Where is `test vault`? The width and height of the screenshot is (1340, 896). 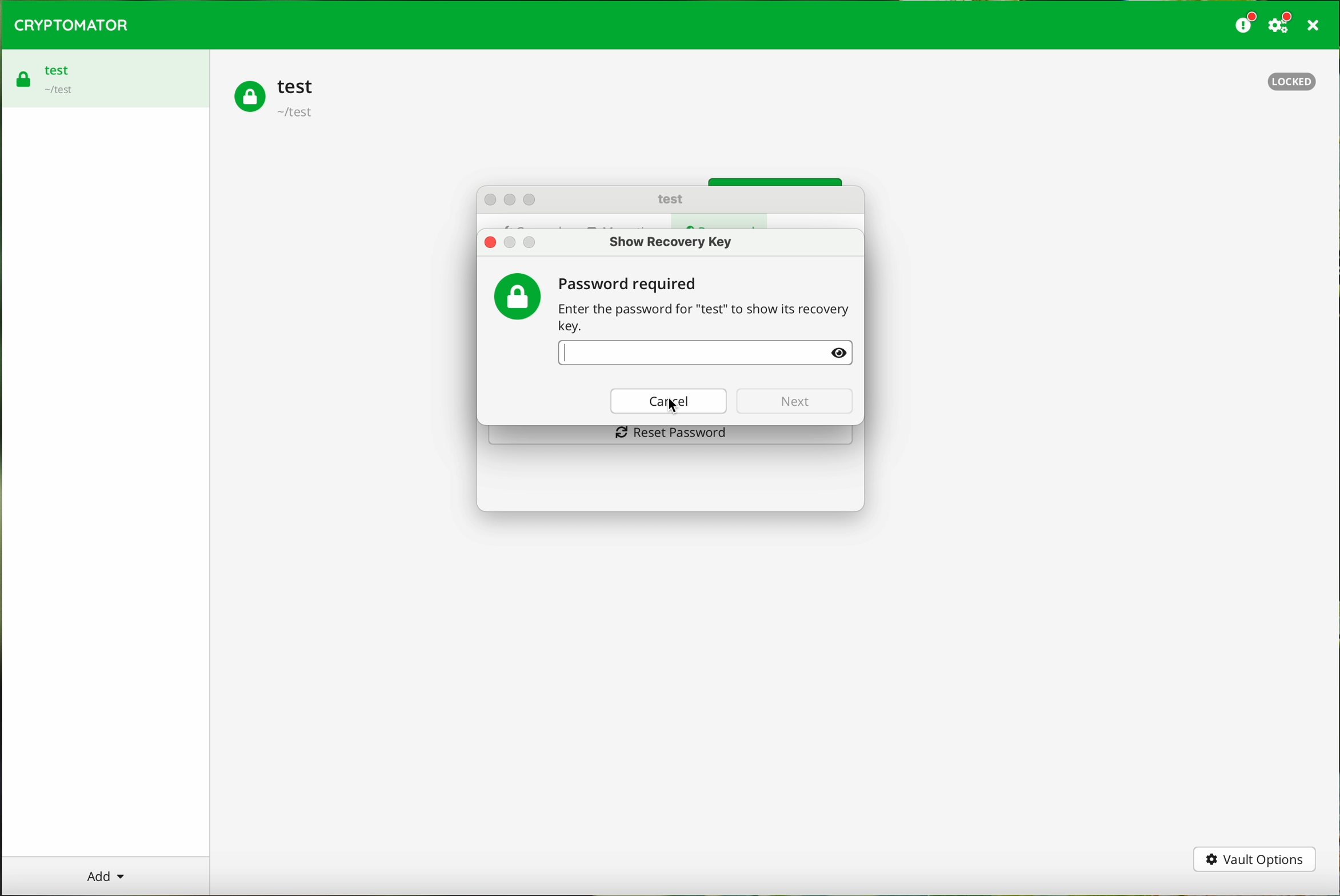
test vault is located at coordinates (278, 99).